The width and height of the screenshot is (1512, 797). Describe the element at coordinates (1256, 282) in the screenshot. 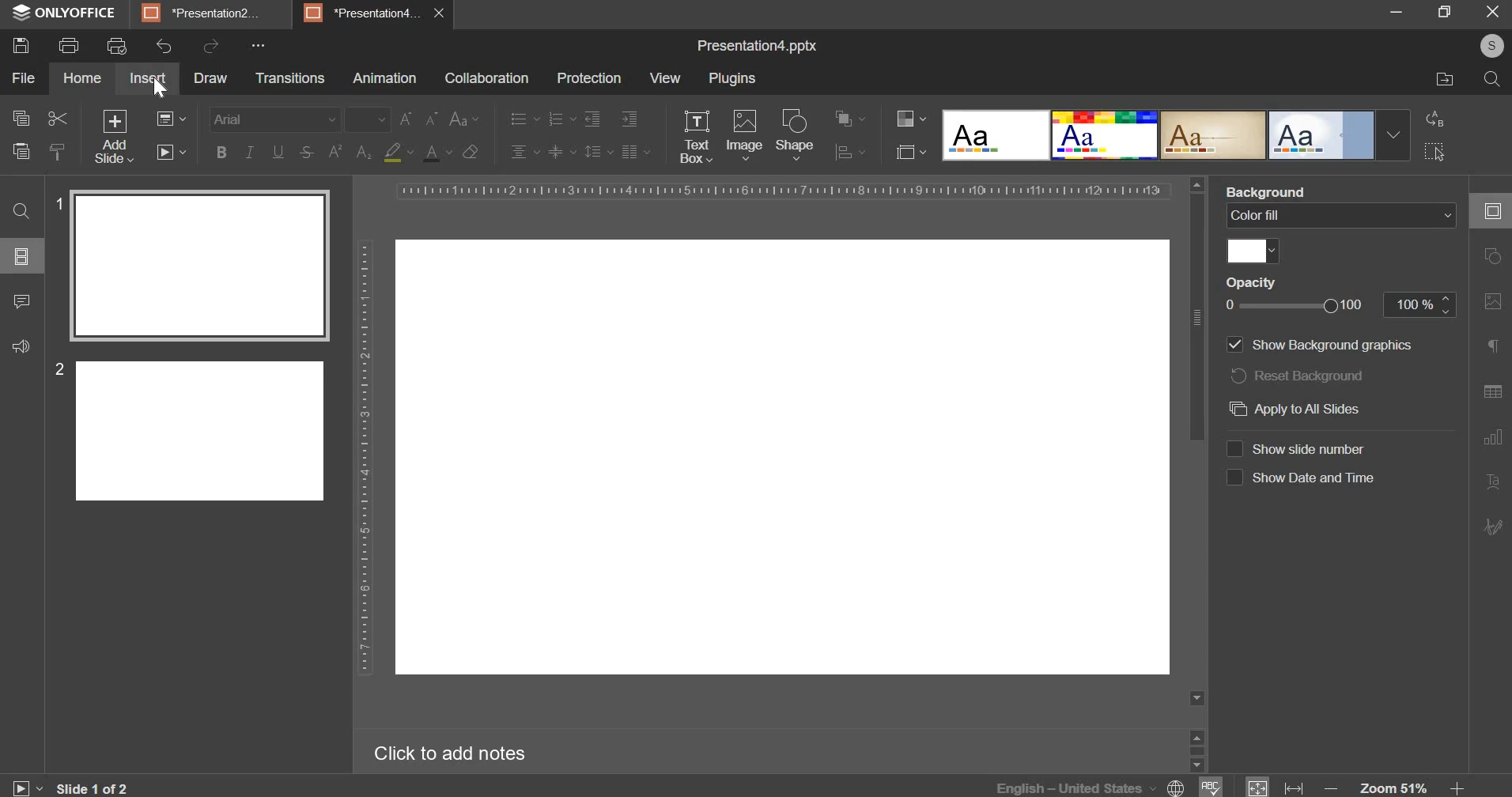

I see `Opacity` at that location.